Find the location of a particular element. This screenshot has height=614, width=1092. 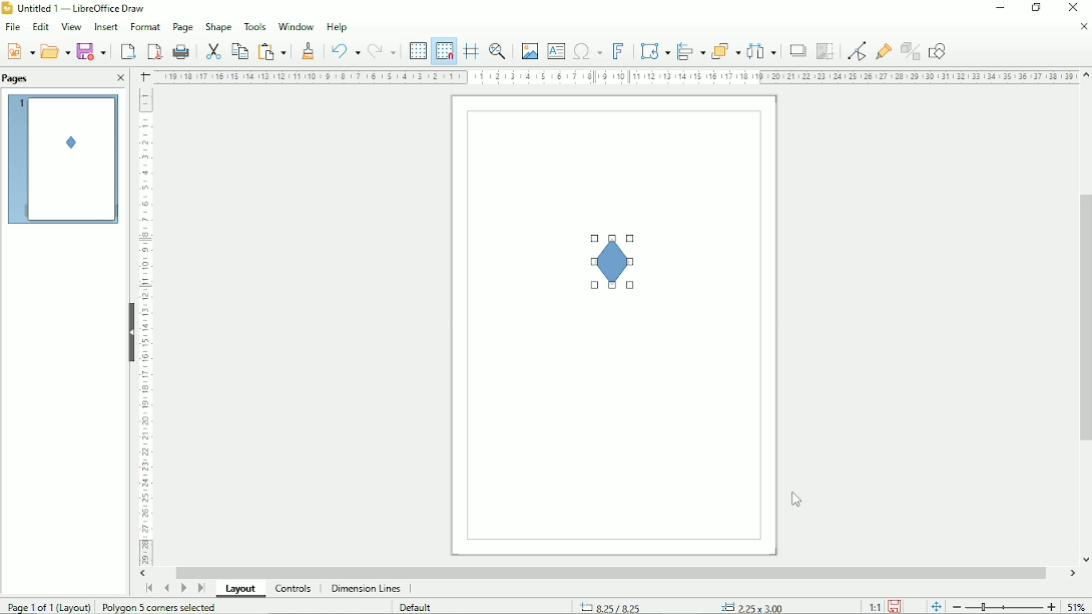

Controls is located at coordinates (294, 589).